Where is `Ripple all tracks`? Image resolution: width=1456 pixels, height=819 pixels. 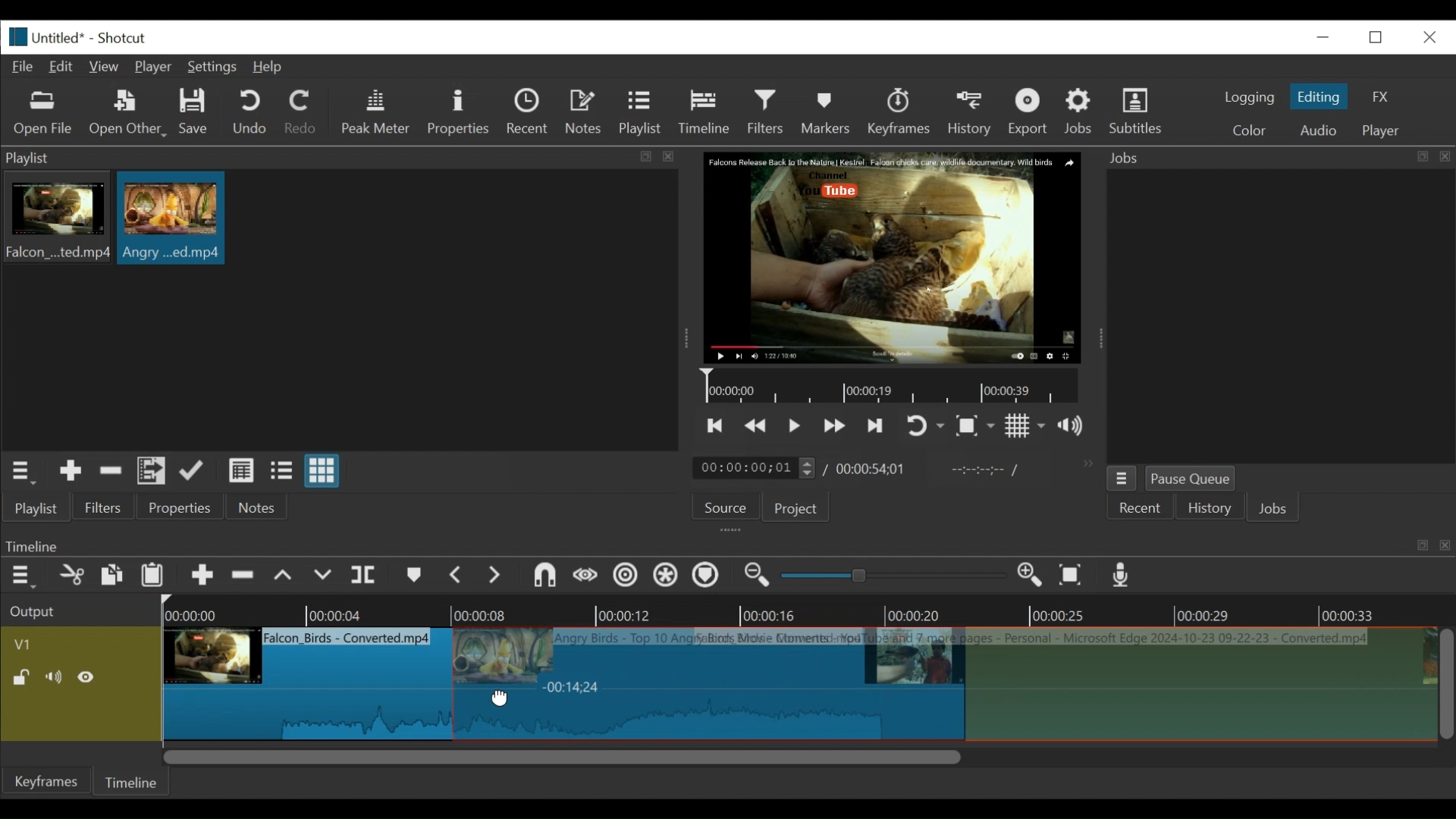 Ripple all tracks is located at coordinates (665, 577).